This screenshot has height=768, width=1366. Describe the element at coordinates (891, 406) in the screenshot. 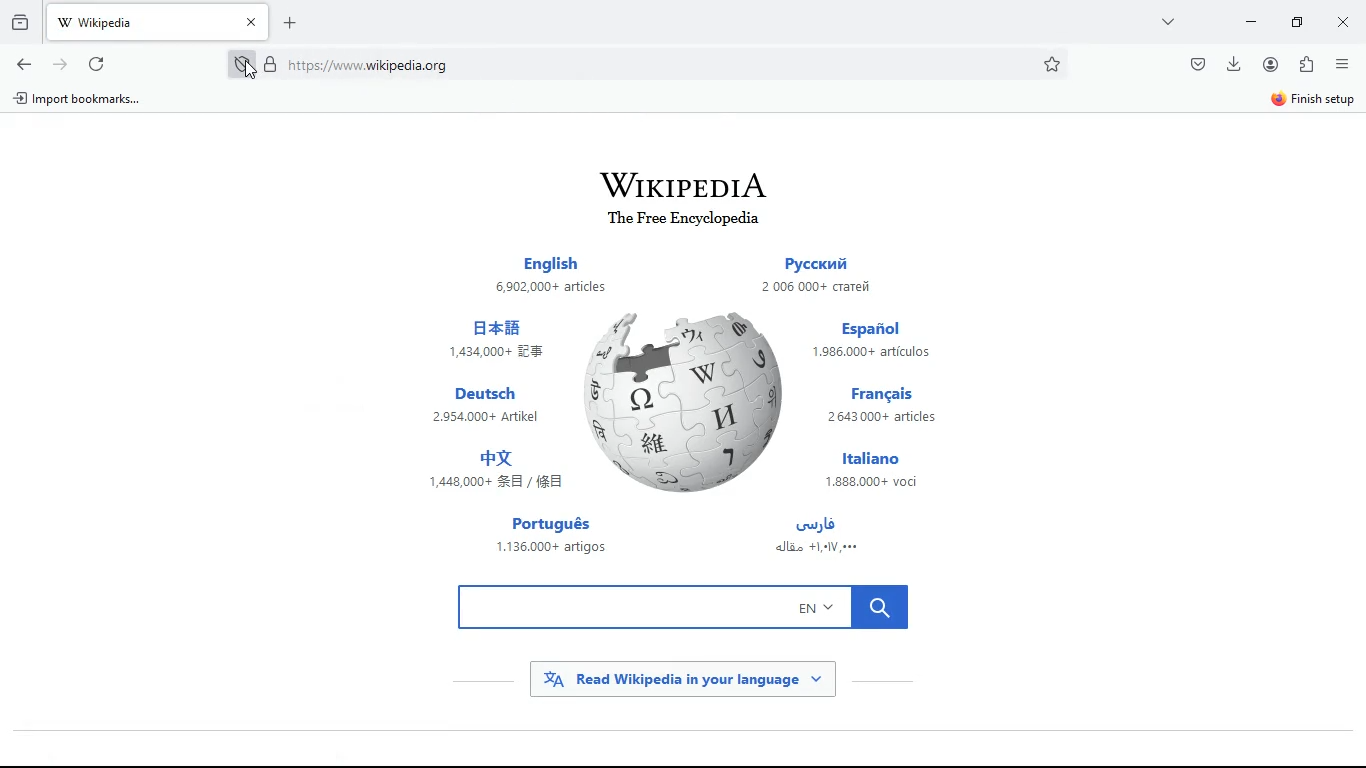

I see `français` at that location.